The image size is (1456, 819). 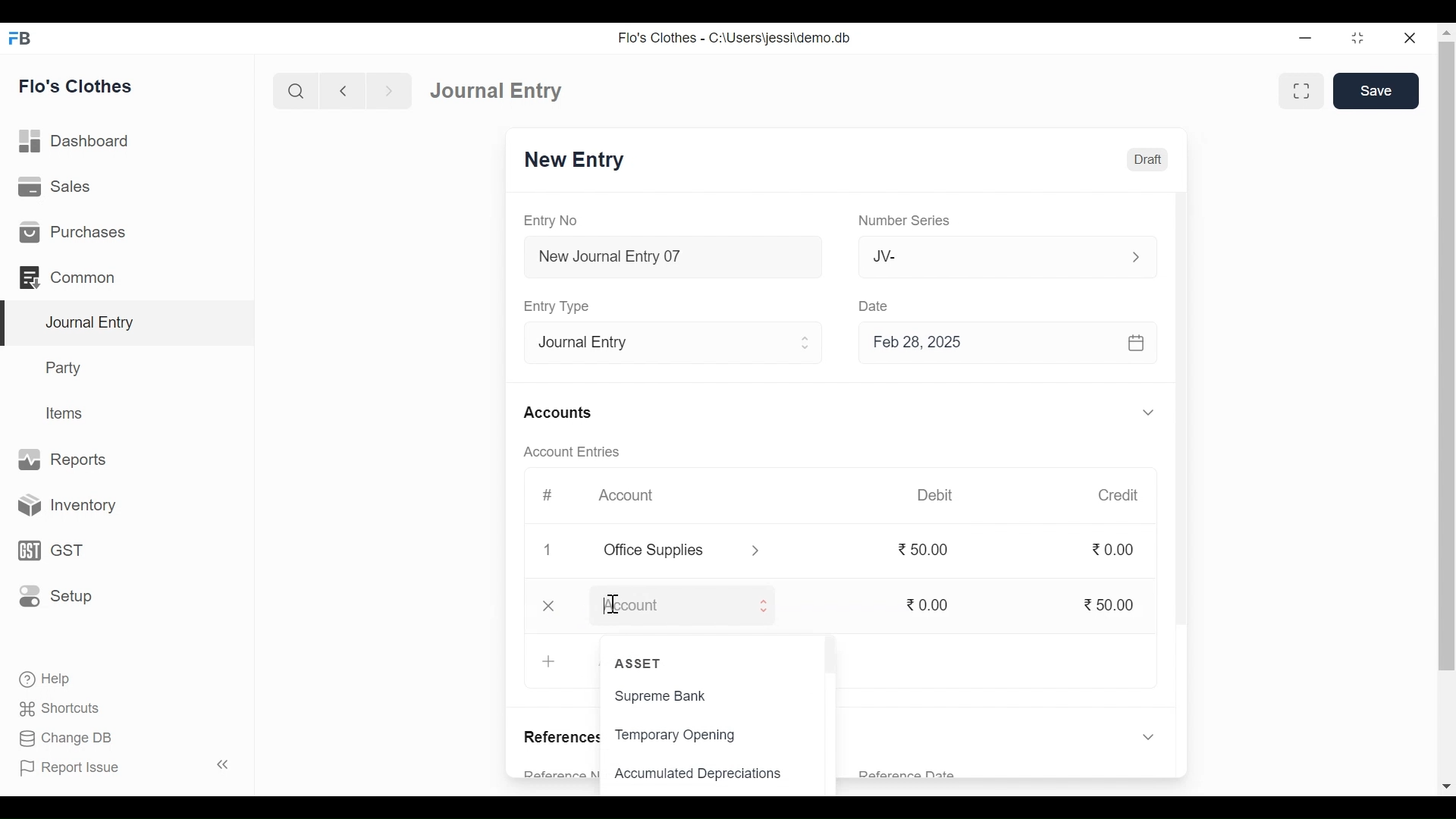 I want to click on Expand, so click(x=1144, y=257).